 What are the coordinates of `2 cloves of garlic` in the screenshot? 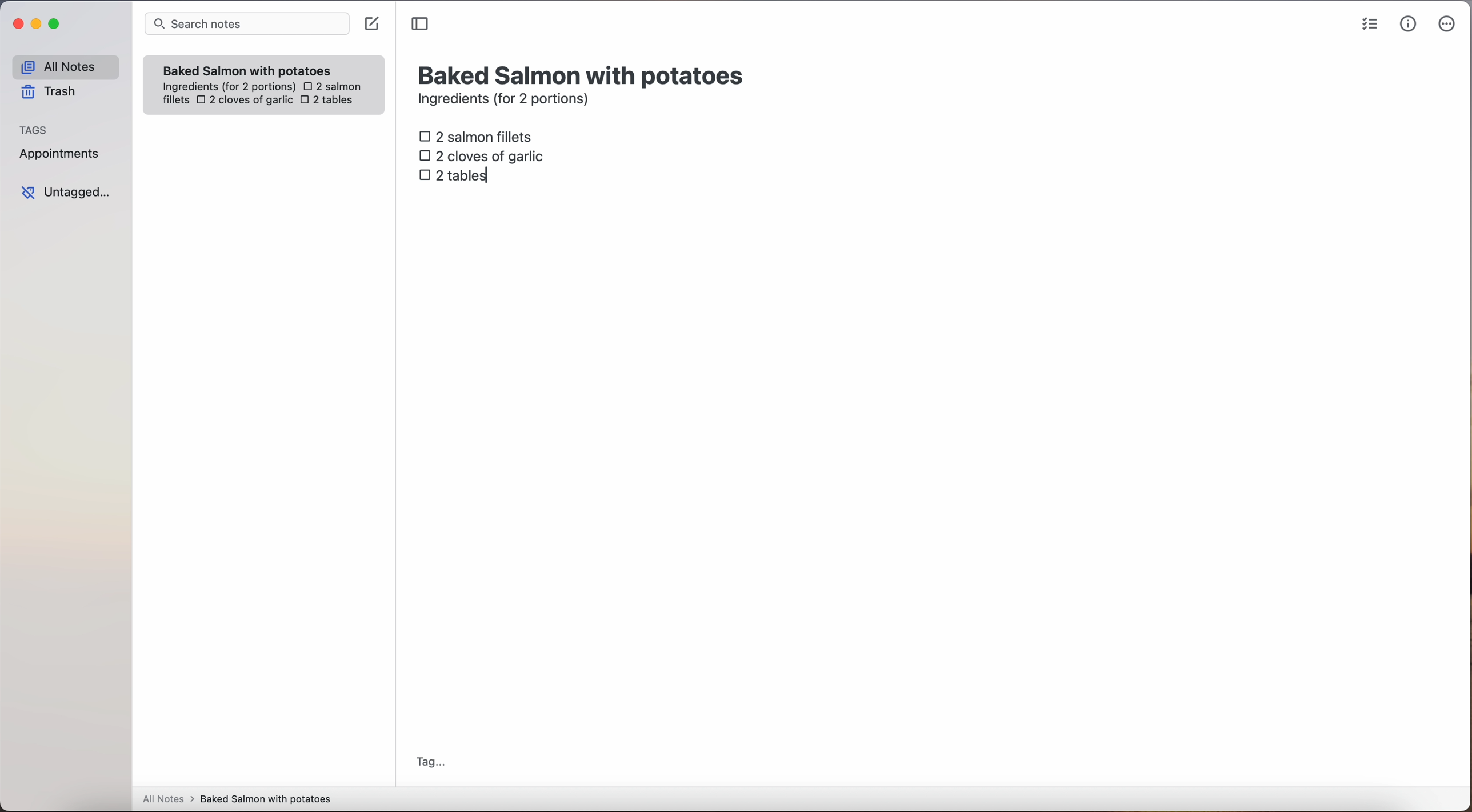 It's located at (485, 154).